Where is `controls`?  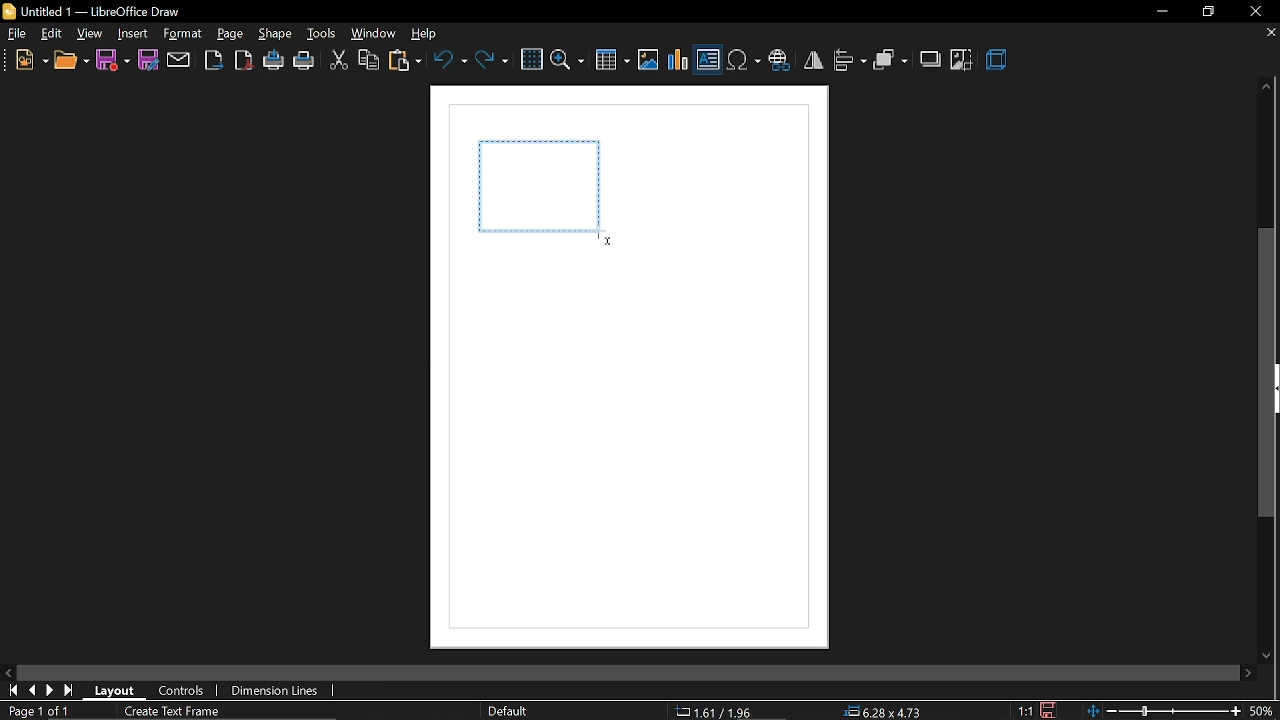 controls is located at coordinates (182, 692).